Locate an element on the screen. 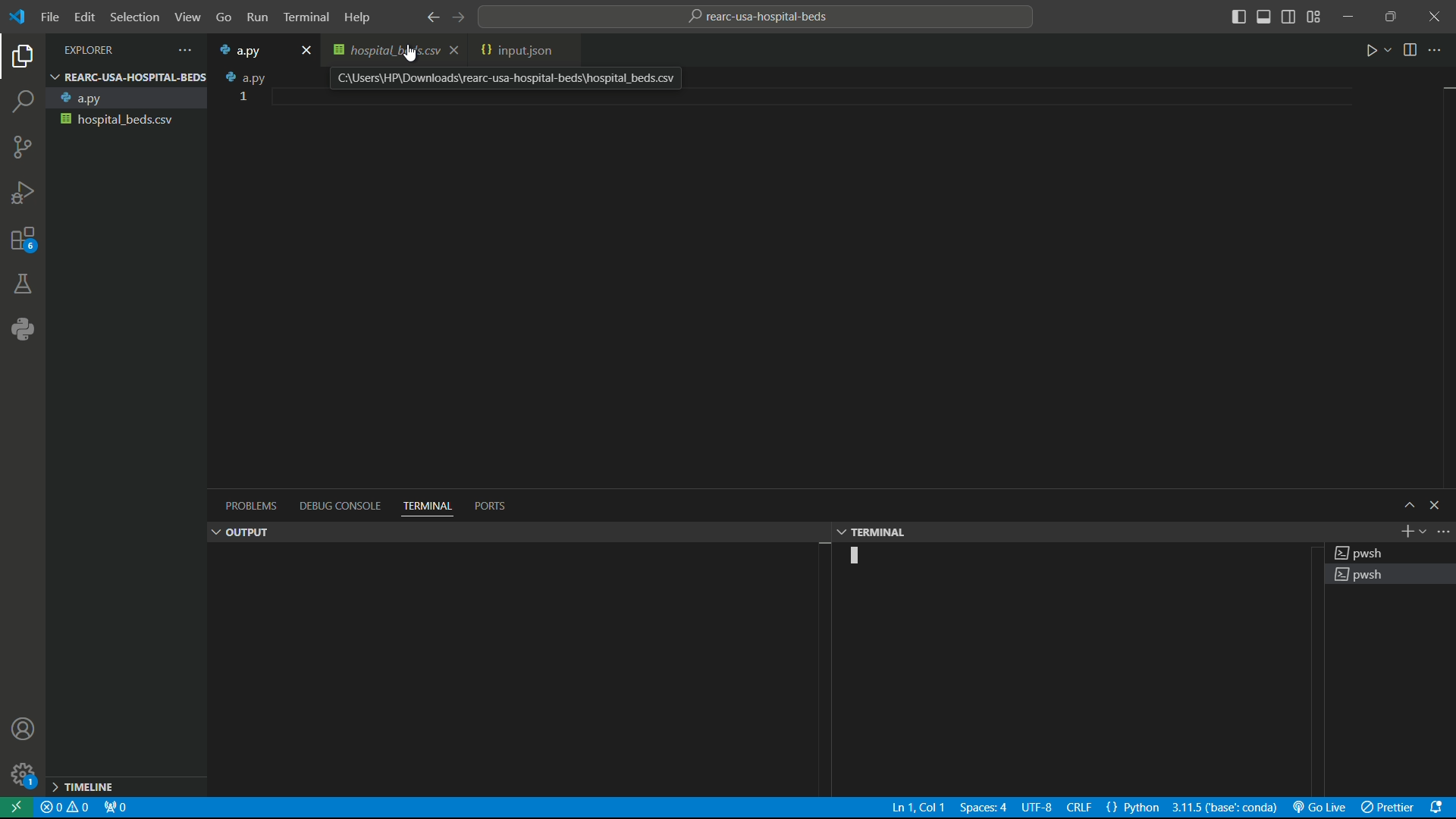 The image size is (1456, 819). cursor is located at coordinates (413, 54).